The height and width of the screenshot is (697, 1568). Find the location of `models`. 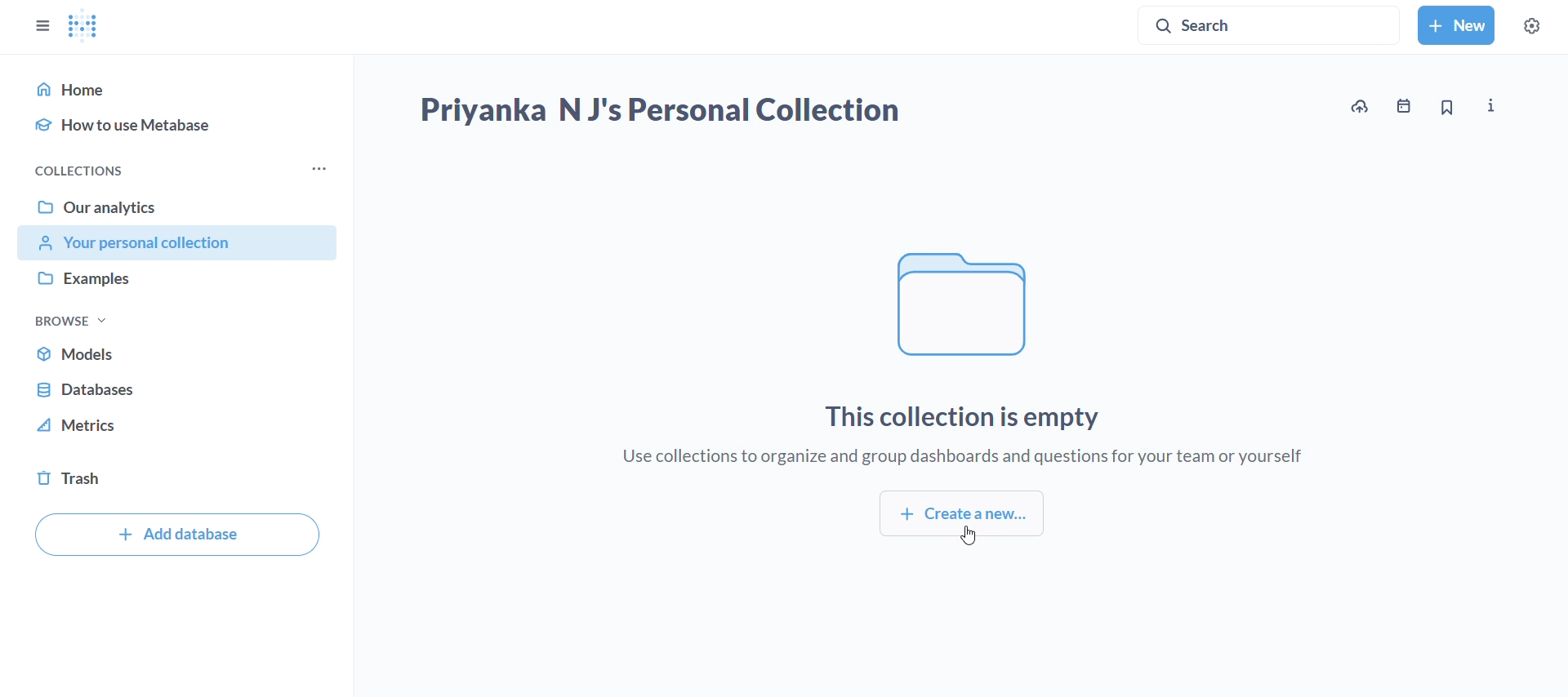

models is located at coordinates (176, 353).